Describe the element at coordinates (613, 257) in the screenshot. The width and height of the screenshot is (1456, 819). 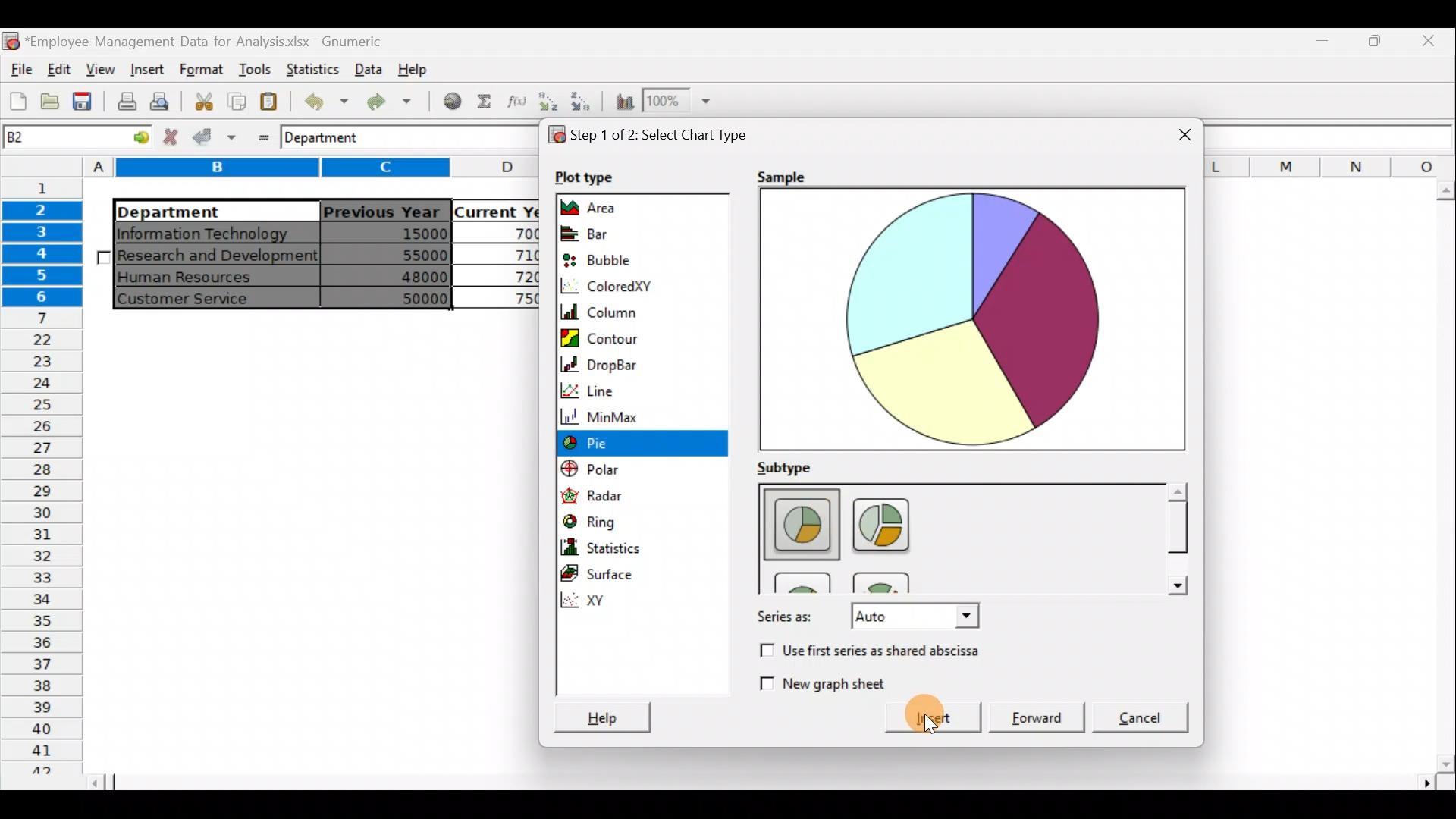
I see `Bubble` at that location.